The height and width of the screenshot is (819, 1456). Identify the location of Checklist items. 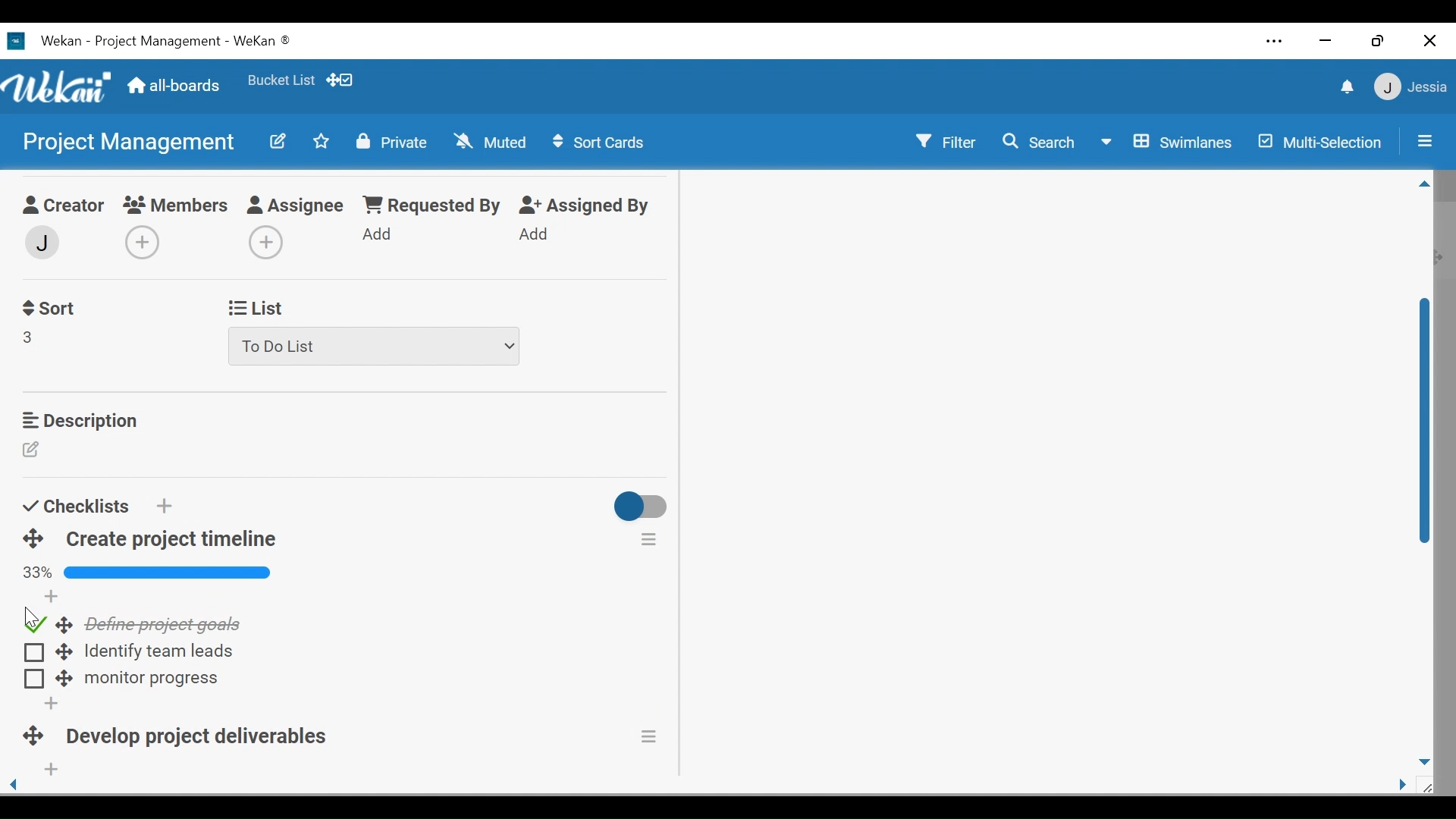
(167, 624).